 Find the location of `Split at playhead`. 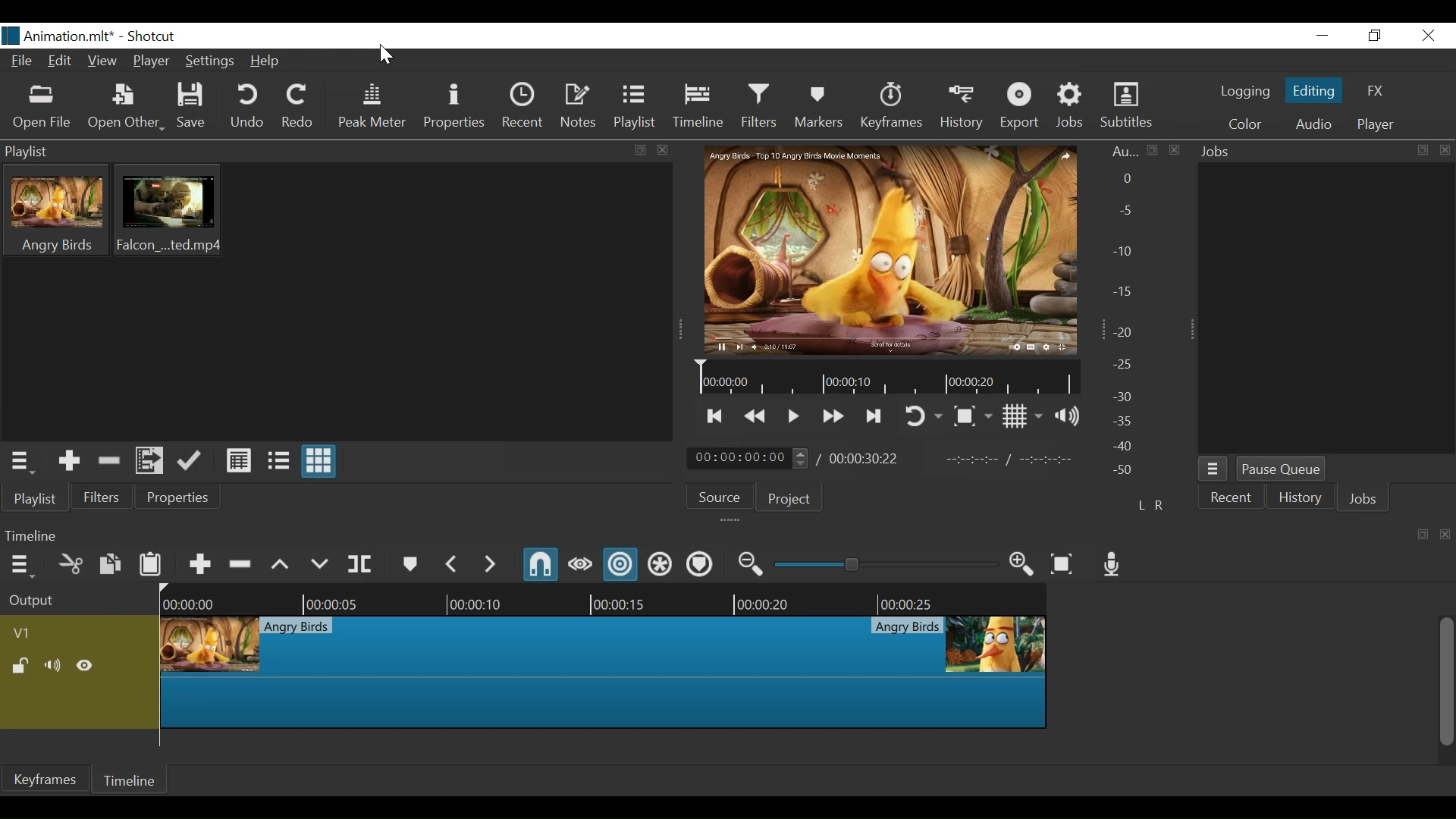

Split at playhead is located at coordinates (360, 563).